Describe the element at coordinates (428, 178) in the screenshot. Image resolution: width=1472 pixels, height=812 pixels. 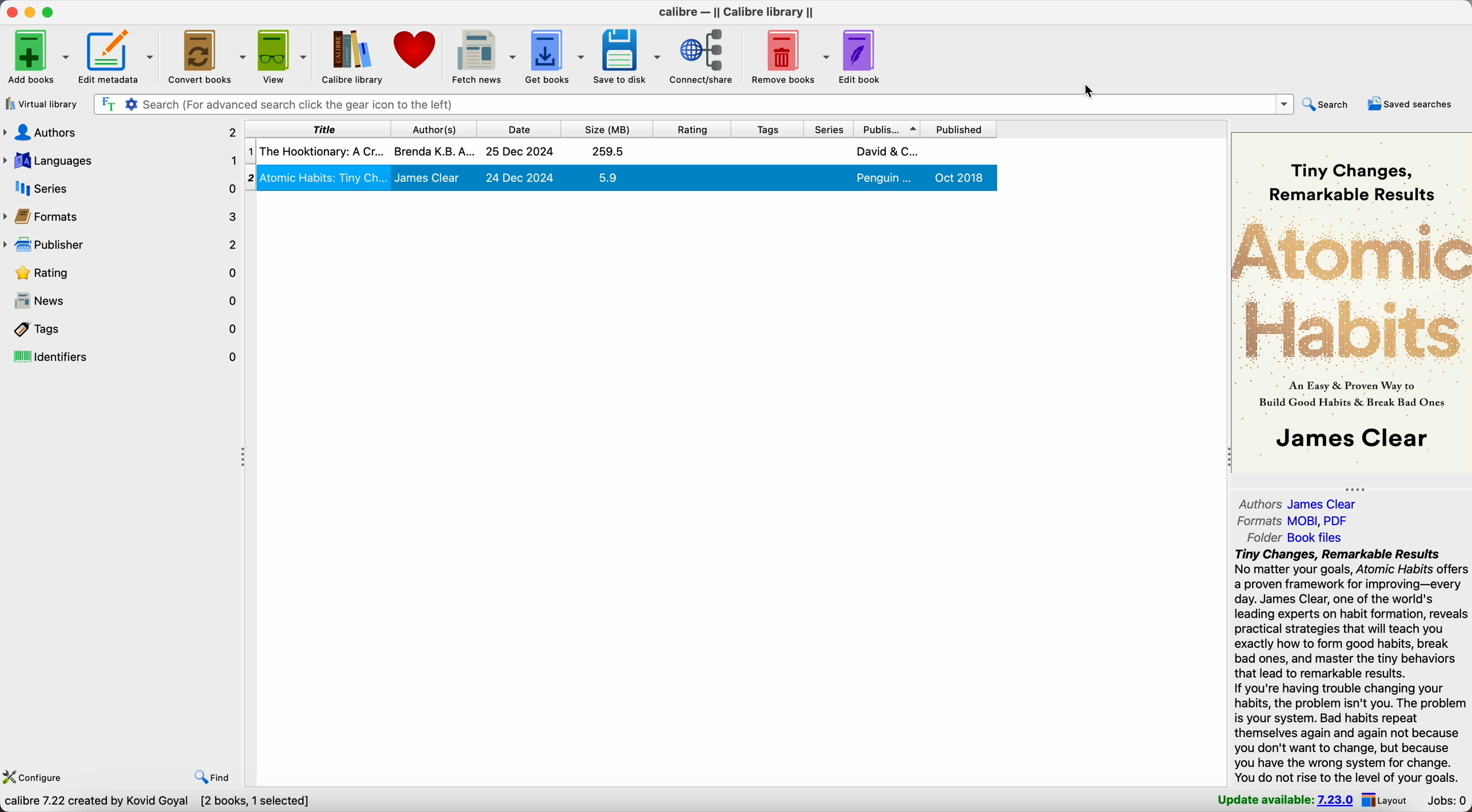
I see `James Clear` at that location.